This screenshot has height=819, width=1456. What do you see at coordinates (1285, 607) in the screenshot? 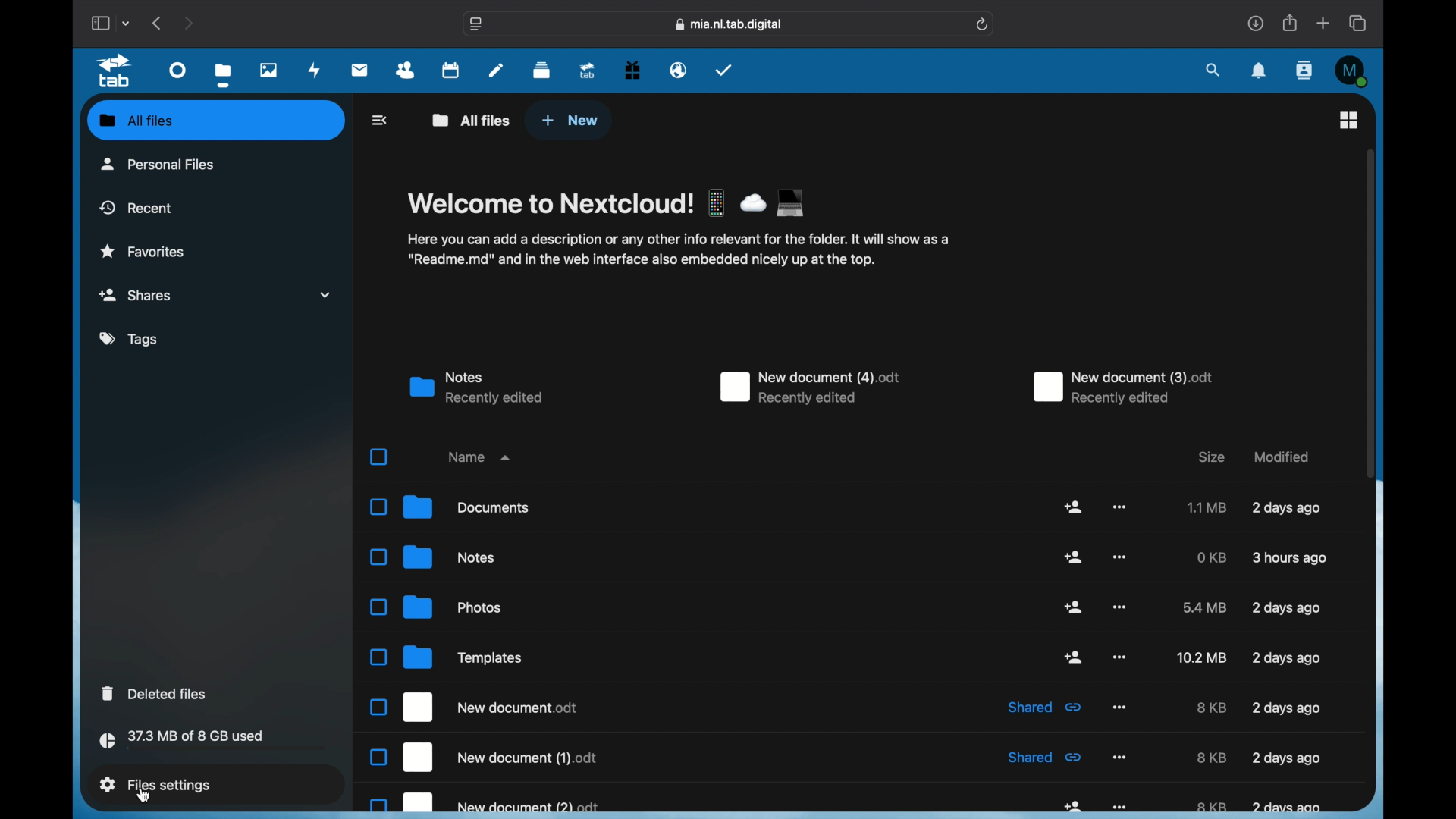
I see `modified` at bounding box center [1285, 607].